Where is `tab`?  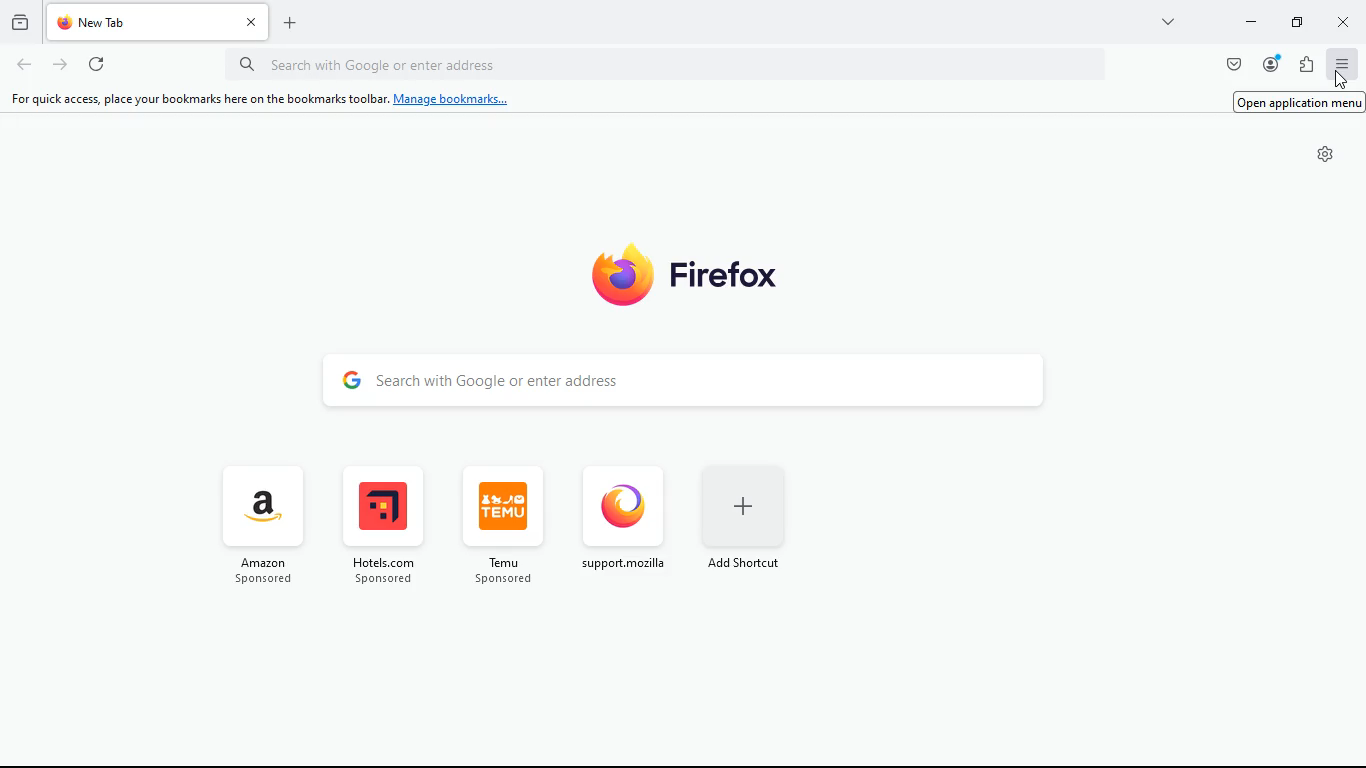 tab is located at coordinates (141, 22).